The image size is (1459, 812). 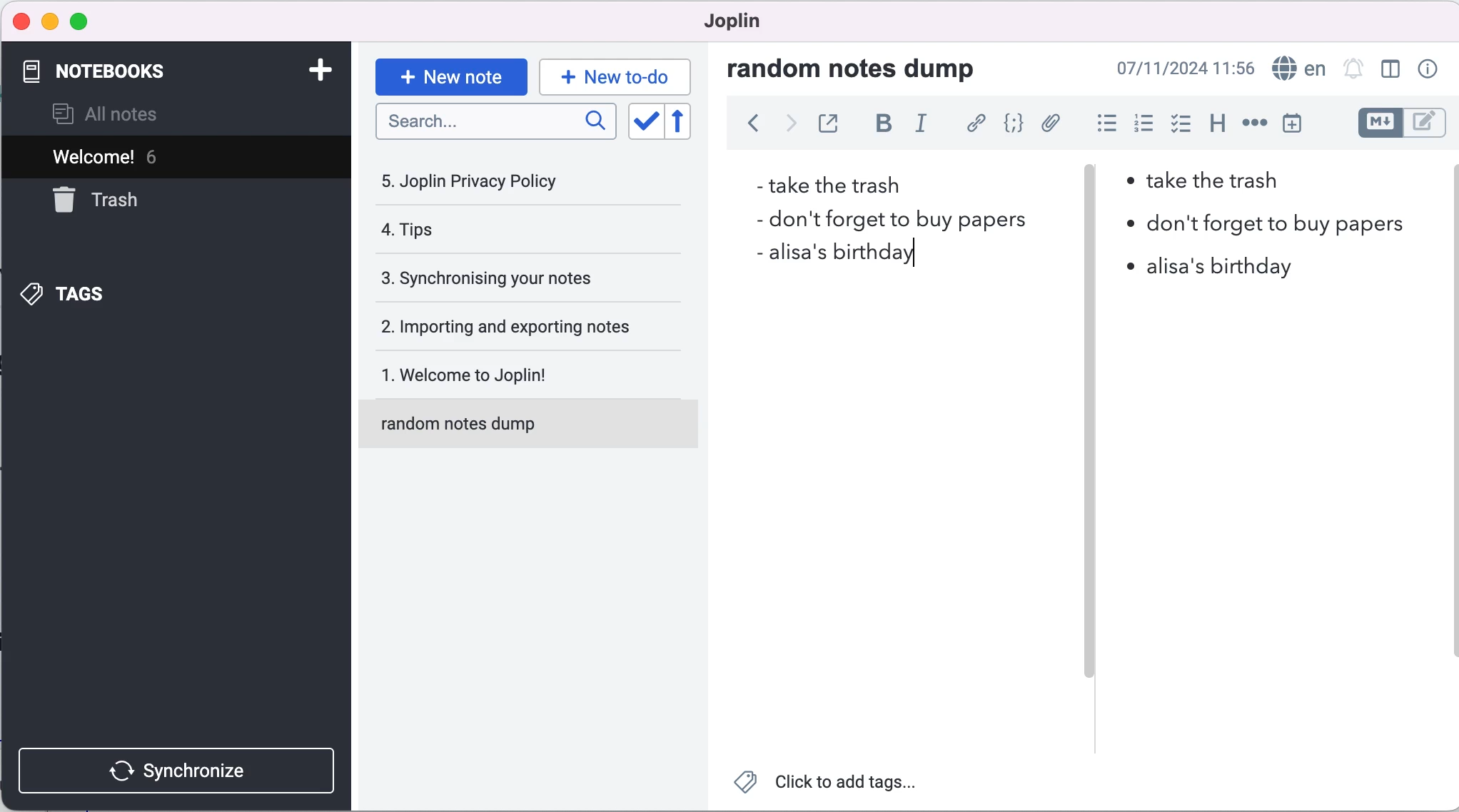 What do you see at coordinates (617, 76) in the screenshot?
I see `new to-do` at bounding box center [617, 76].